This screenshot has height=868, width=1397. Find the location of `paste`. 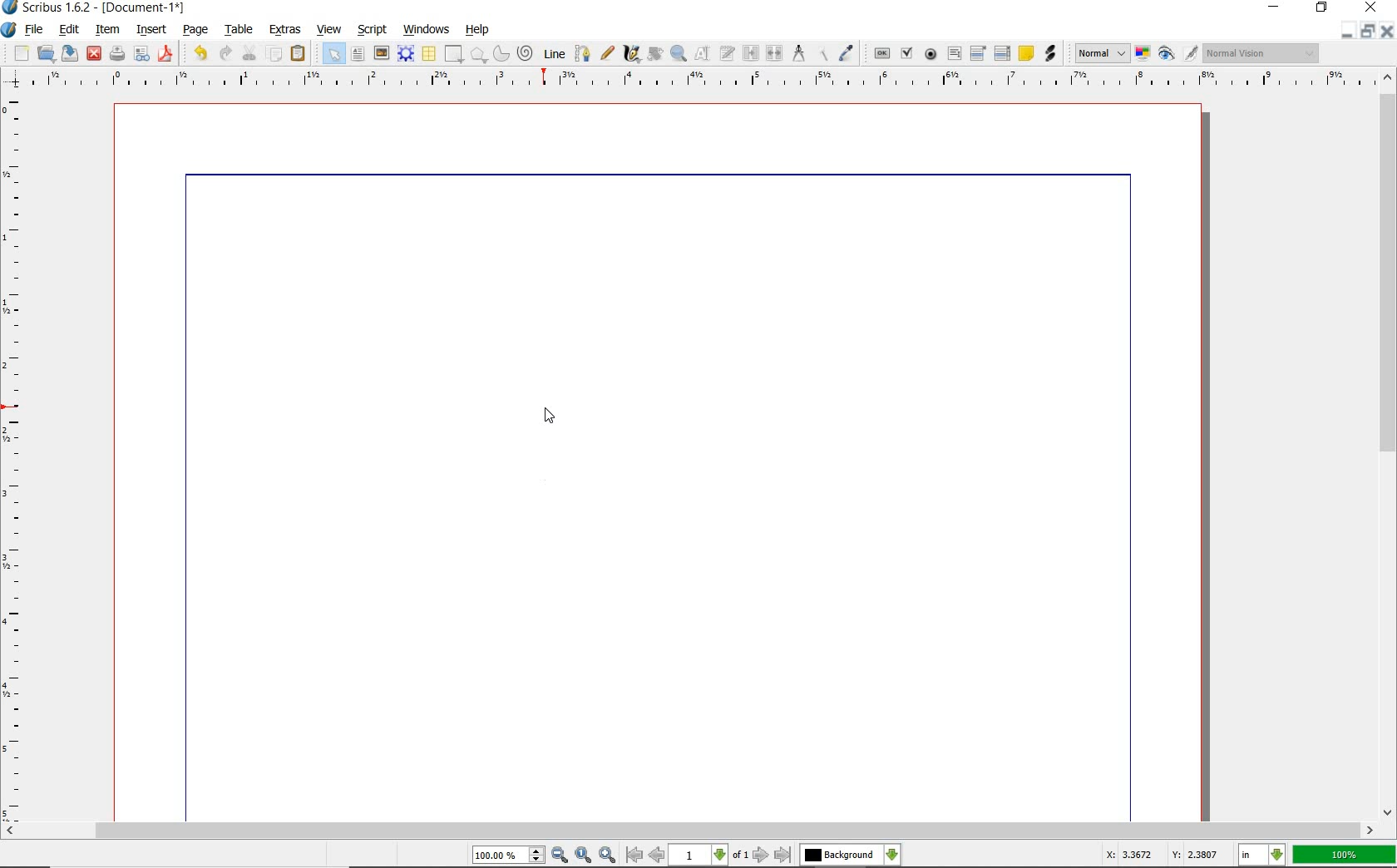

paste is located at coordinates (299, 53).